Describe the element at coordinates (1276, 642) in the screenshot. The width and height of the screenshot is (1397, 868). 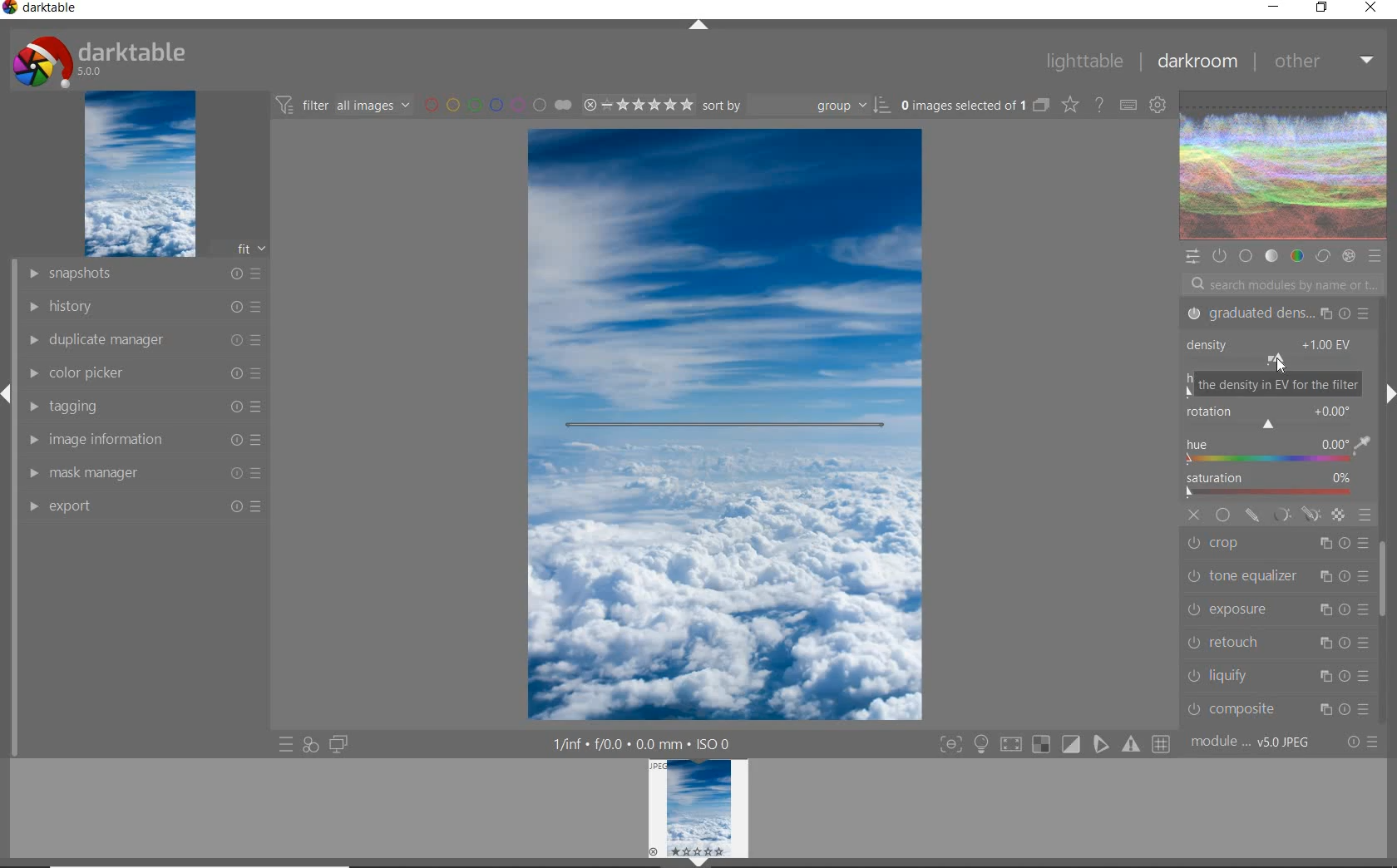
I see `retouch` at that location.